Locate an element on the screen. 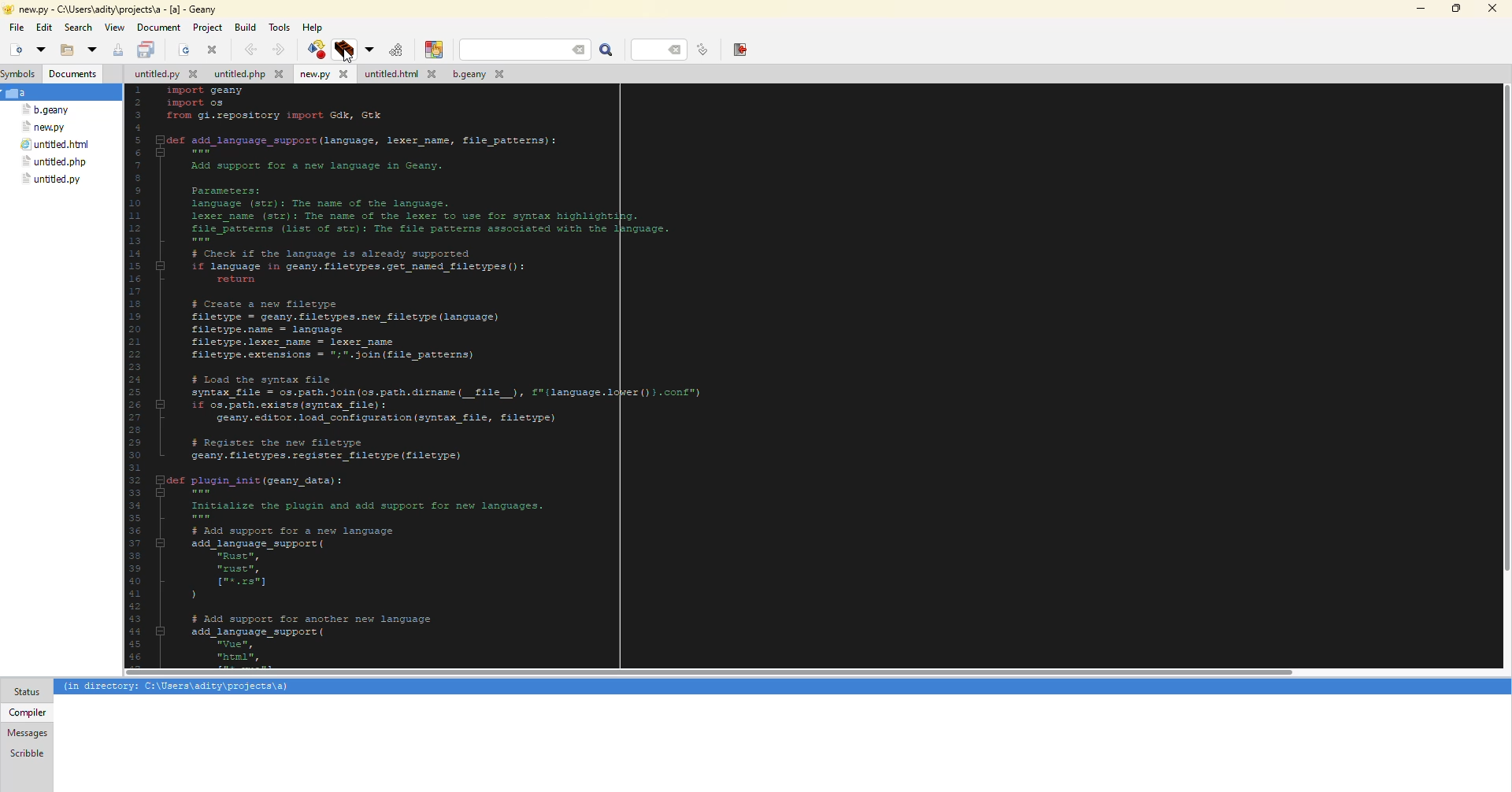 The width and height of the screenshot is (1512, 792). document is located at coordinates (75, 76).